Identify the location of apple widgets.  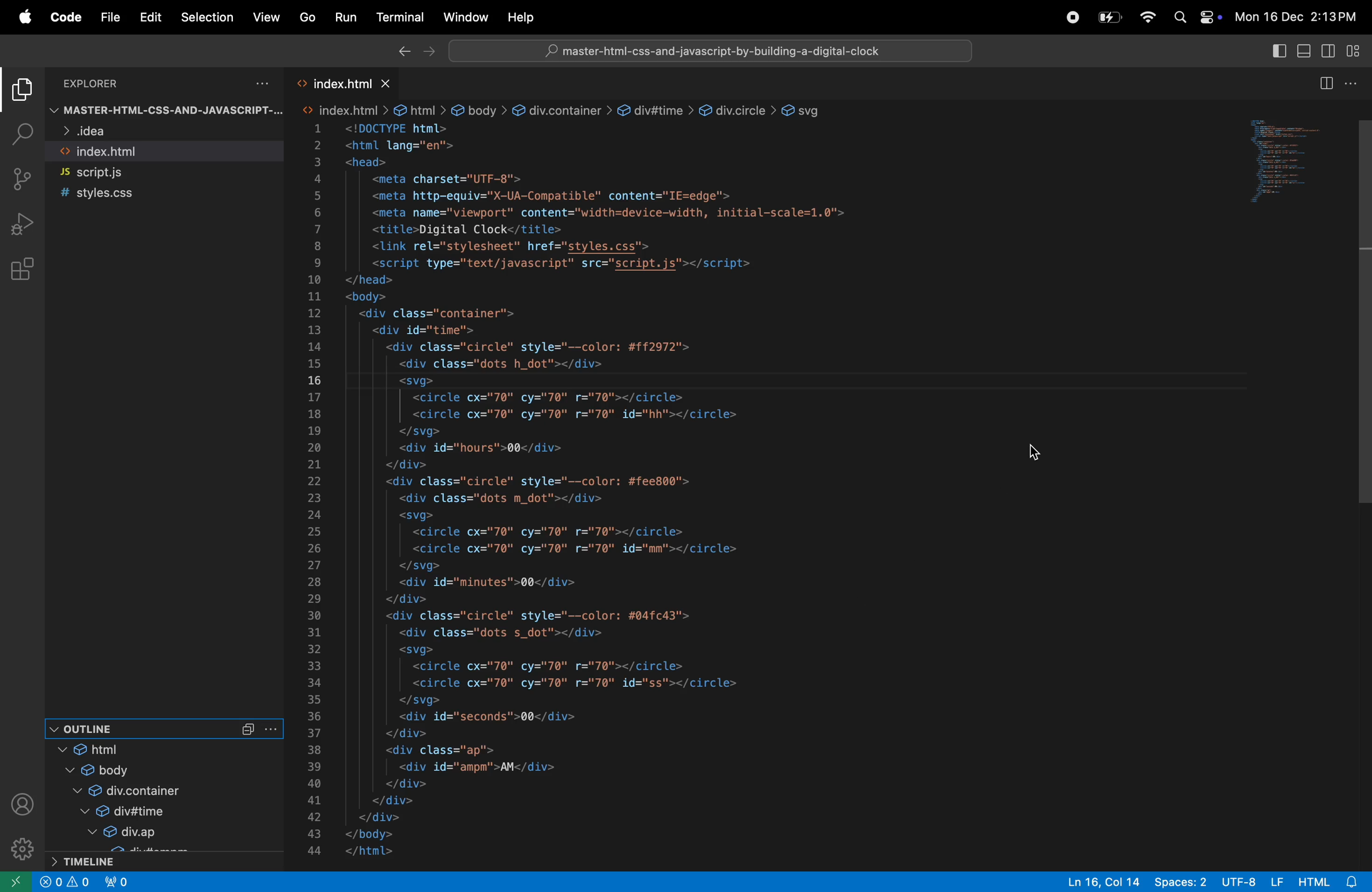
(1208, 17).